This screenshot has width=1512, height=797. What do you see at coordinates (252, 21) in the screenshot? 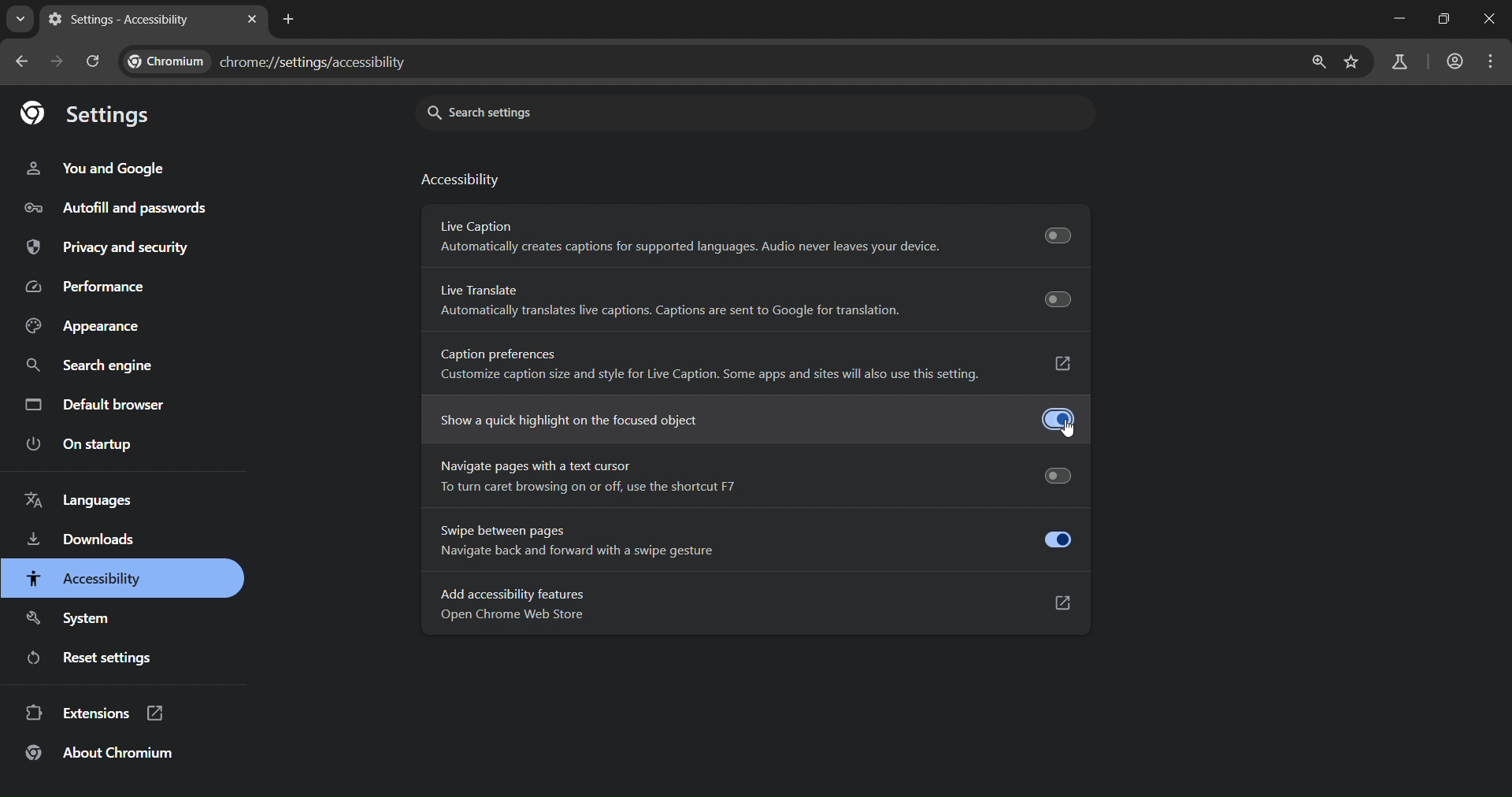
I see `close tab` at bounding box center [252, 21].